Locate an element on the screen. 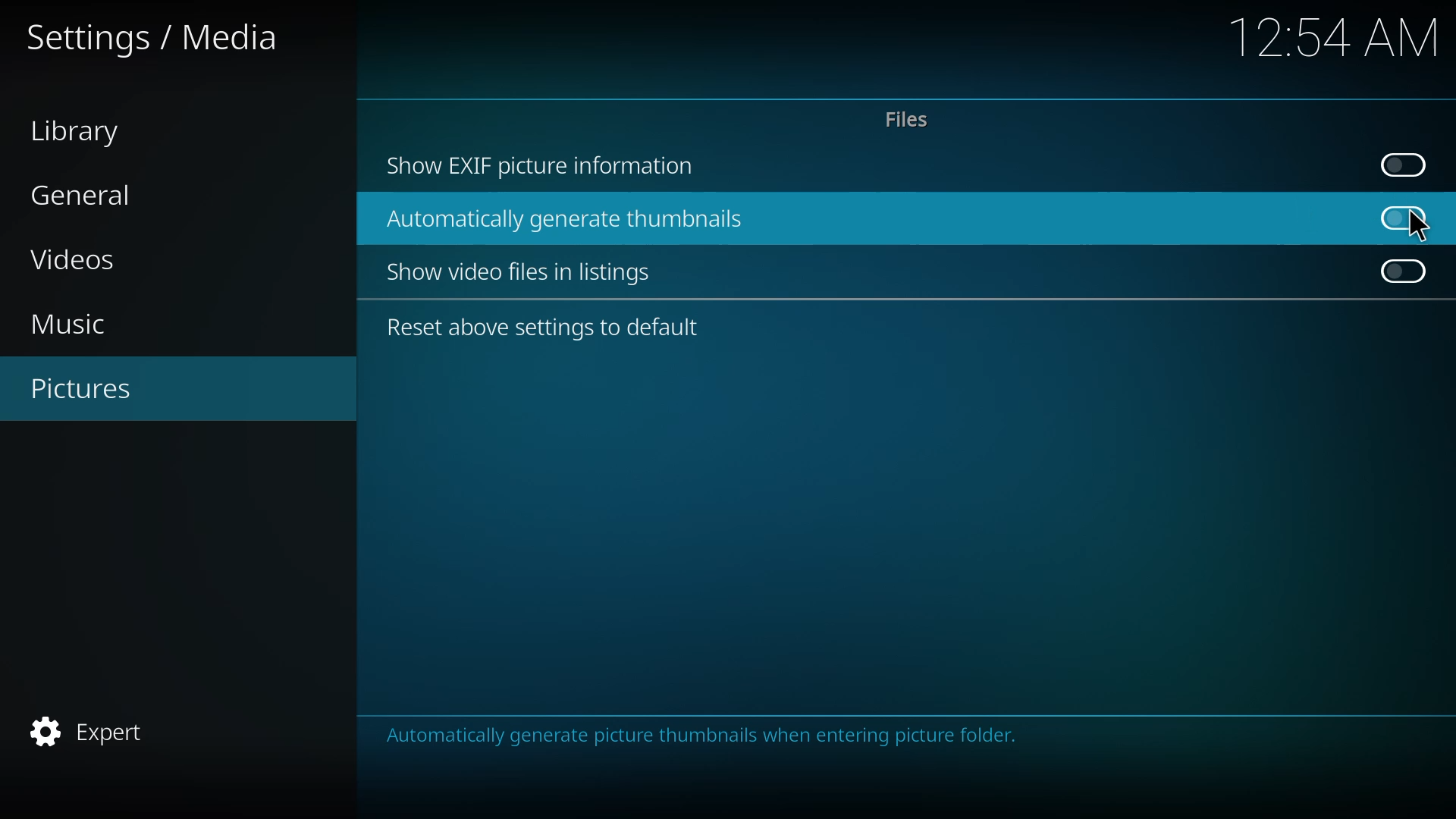  library is located at coordinates (84, 133).